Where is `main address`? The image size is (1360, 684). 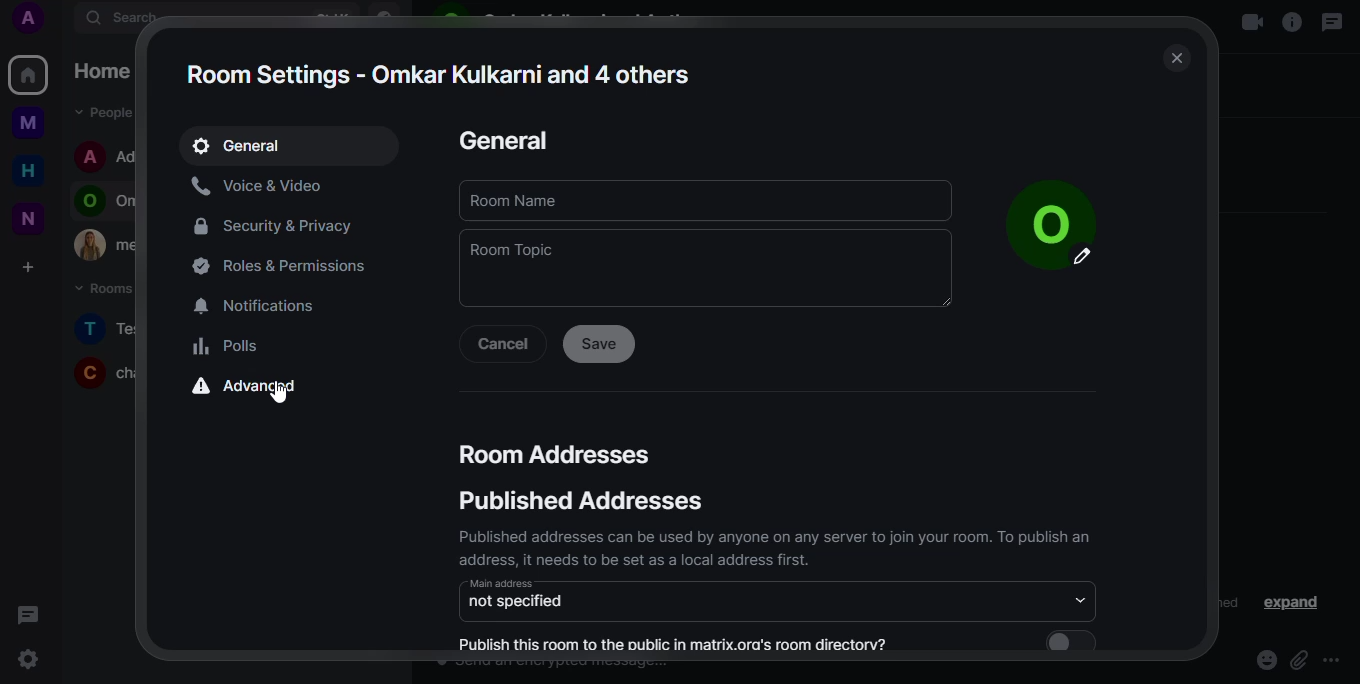 main address is located at coordinates (505, 584).